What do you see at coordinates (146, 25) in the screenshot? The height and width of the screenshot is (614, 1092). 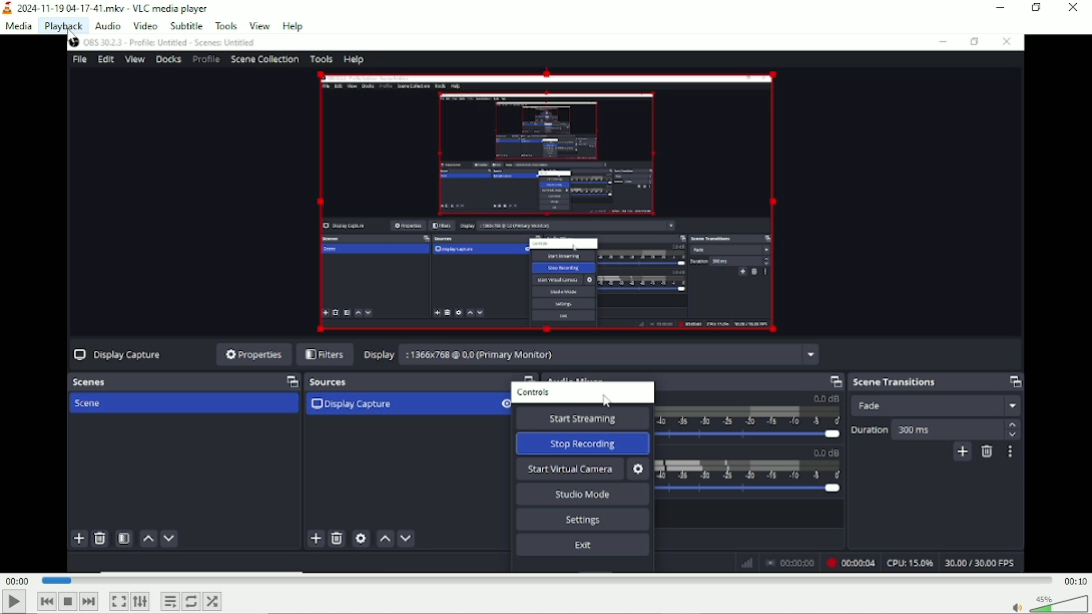 I see `Video` at bounding box center [146, 25].